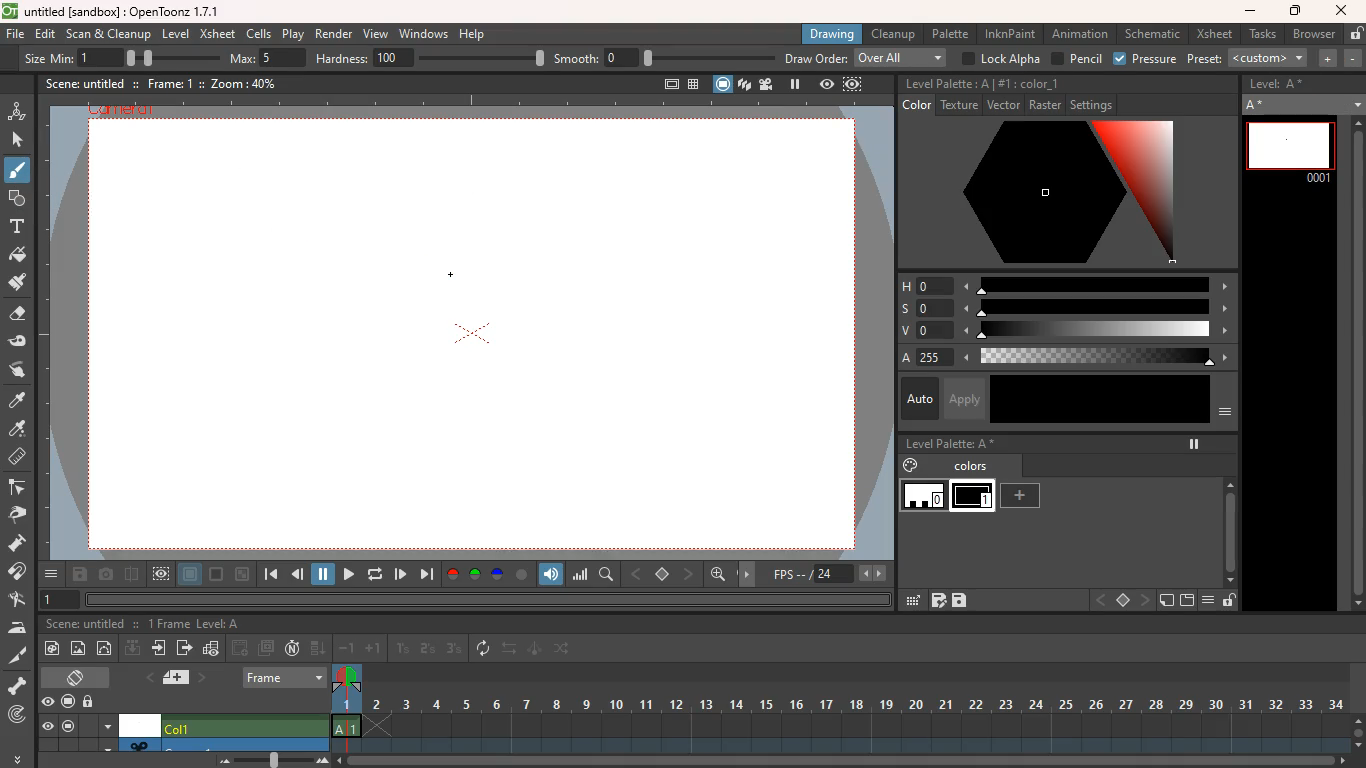 The width and height of the screenshot is (1366, 768). Describe the element at coordinates (20, 257) in the screenshot. I see `paint` at that location.